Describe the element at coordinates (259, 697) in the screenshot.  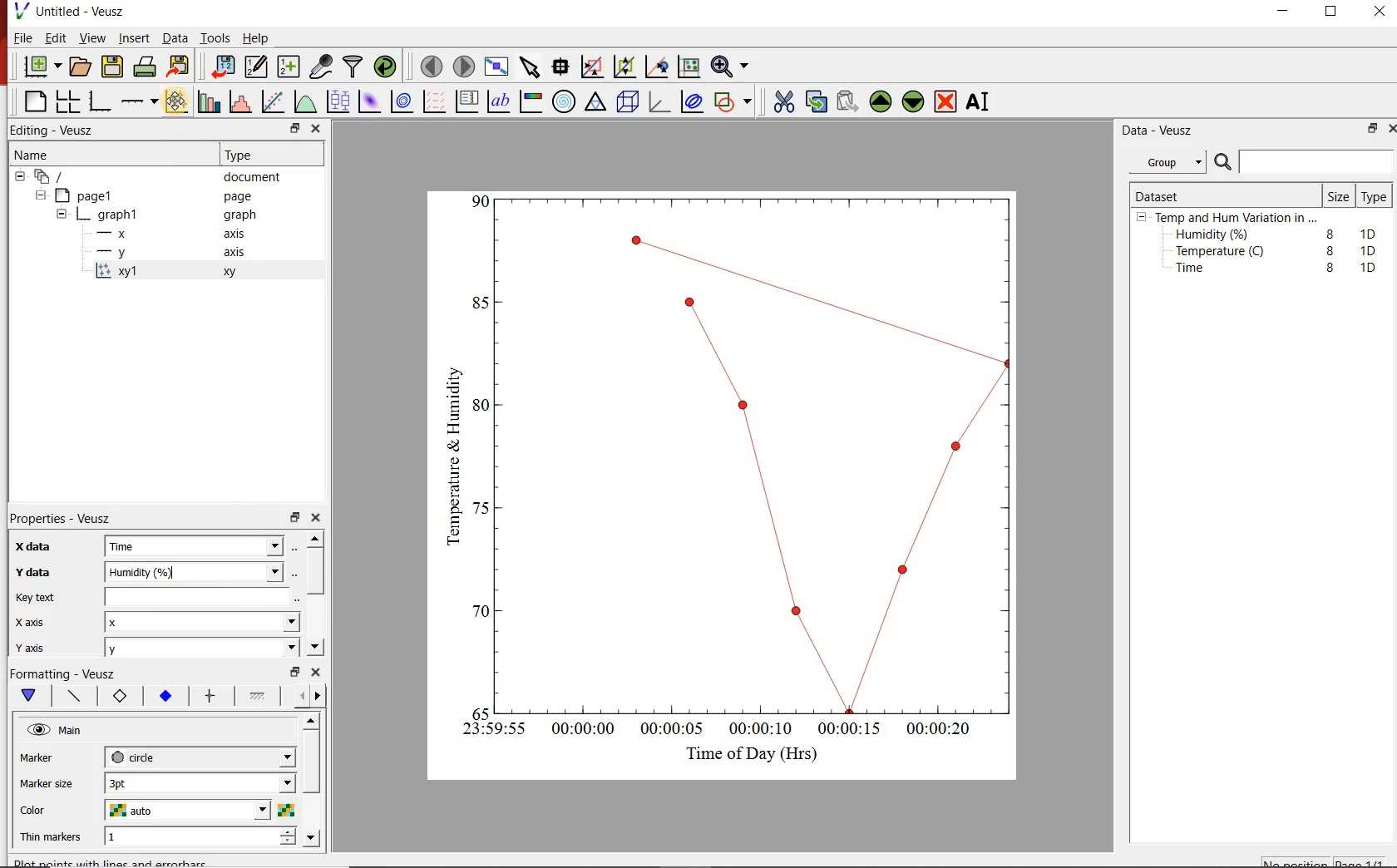
I see `fill 1` at that location.